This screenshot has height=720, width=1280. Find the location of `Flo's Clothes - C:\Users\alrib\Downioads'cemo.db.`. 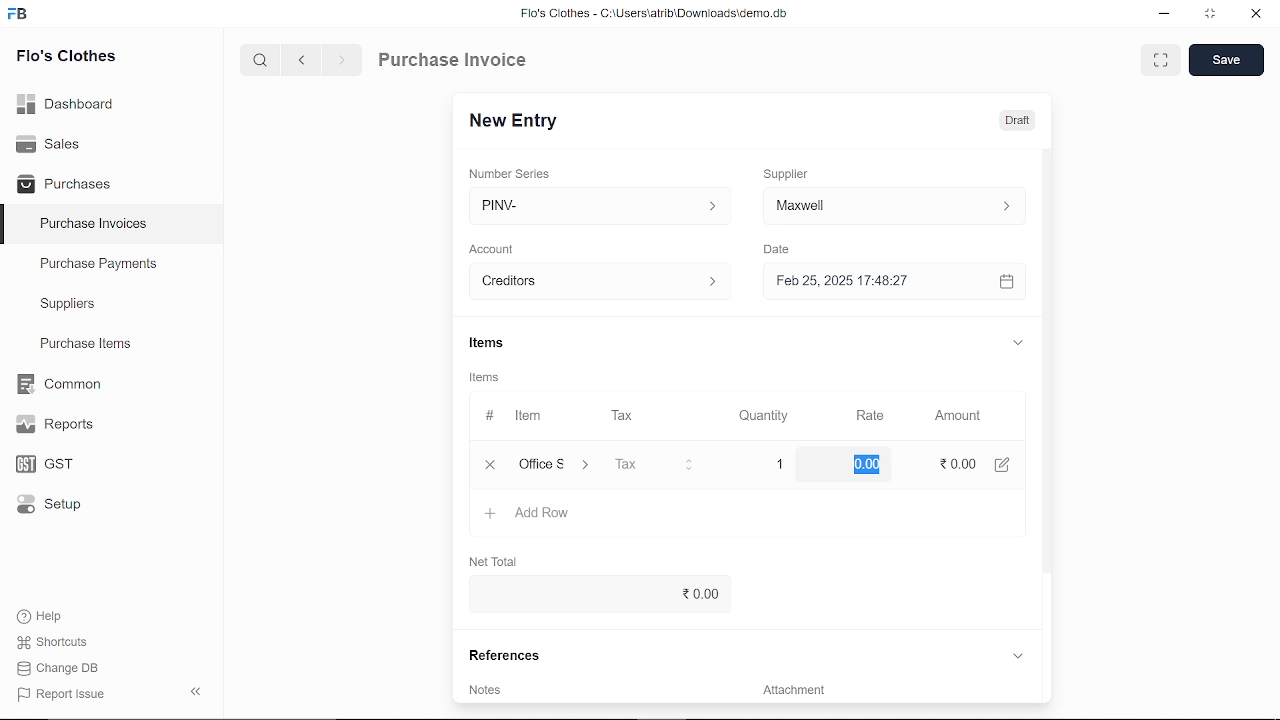

Flo's Clothes - C:\Users\alrib\Downioads'cemo.db. is located at coordinates (653, 17).